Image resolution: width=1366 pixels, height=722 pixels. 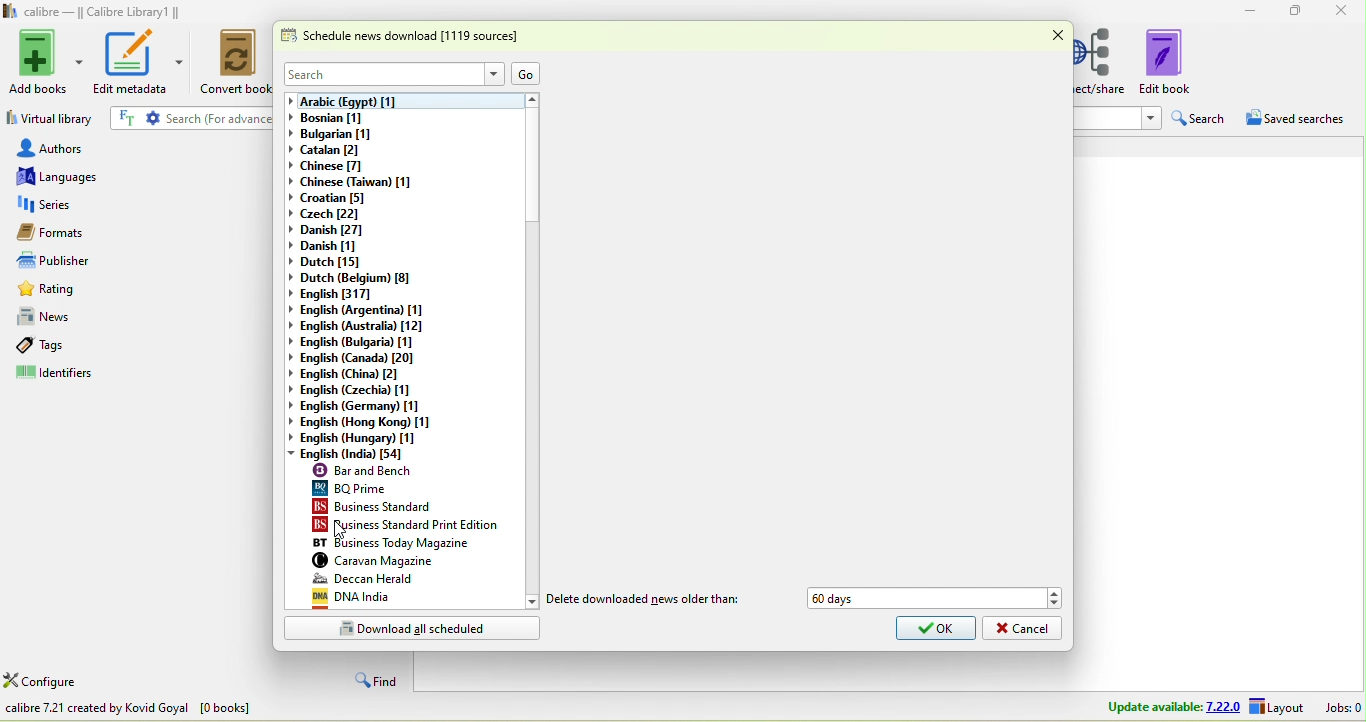 What do you see at coordinates (198, 117) in the screenshot?
I see `search {for advanced search click the gear icon to the left]` at bounding box center [198, 117].